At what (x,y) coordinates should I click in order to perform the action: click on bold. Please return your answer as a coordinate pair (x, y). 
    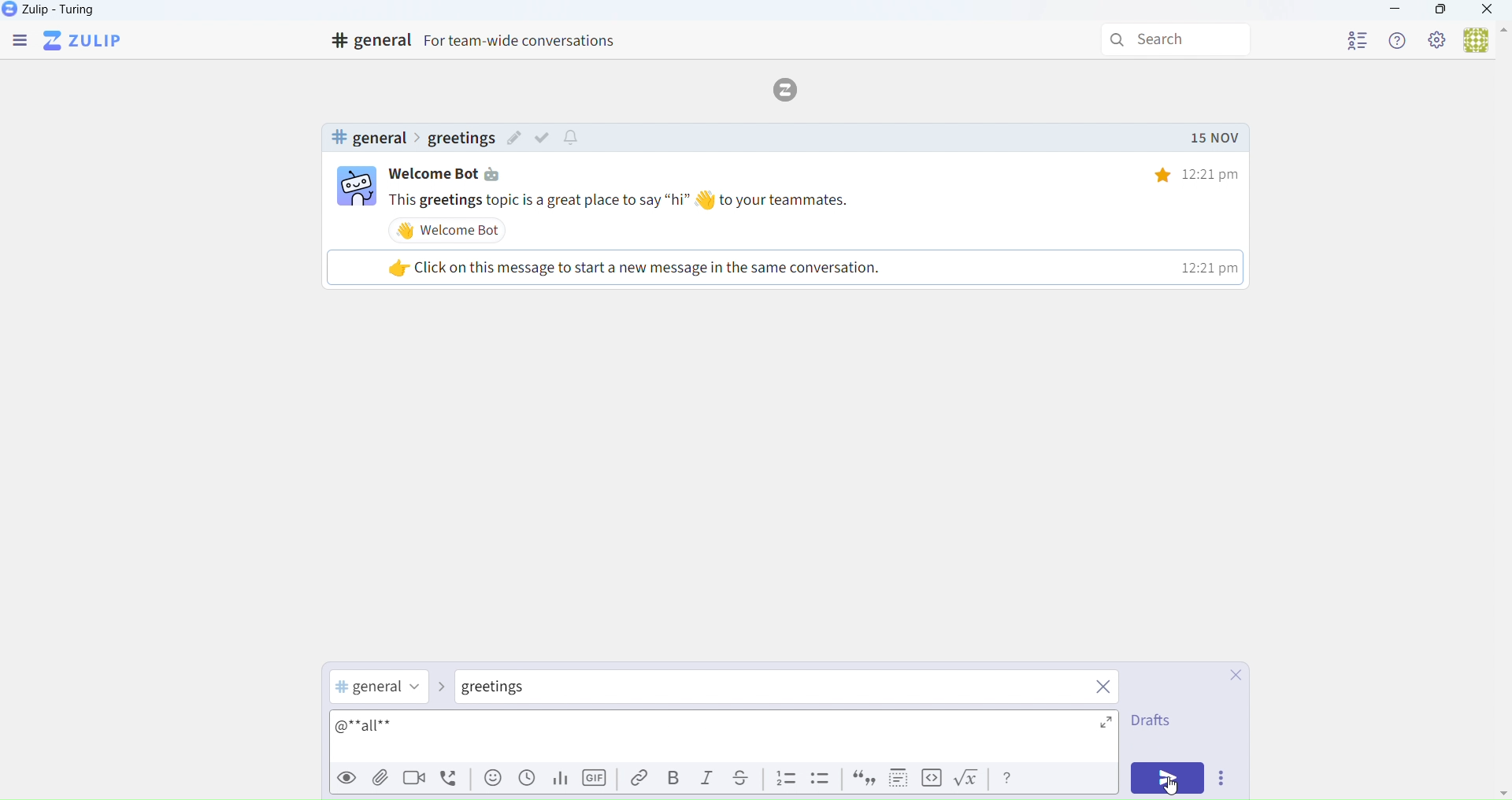
    Looking at the image, I should click on (670, 778).